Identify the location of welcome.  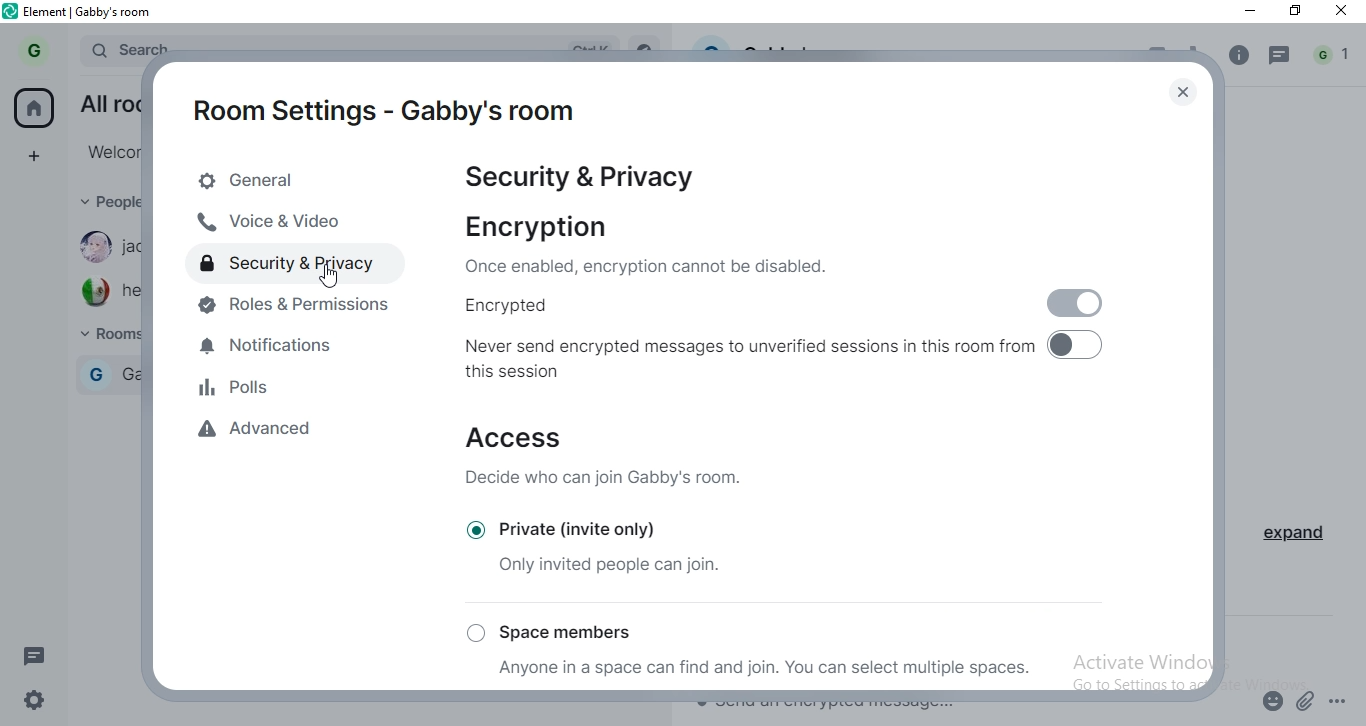
(111, 151).